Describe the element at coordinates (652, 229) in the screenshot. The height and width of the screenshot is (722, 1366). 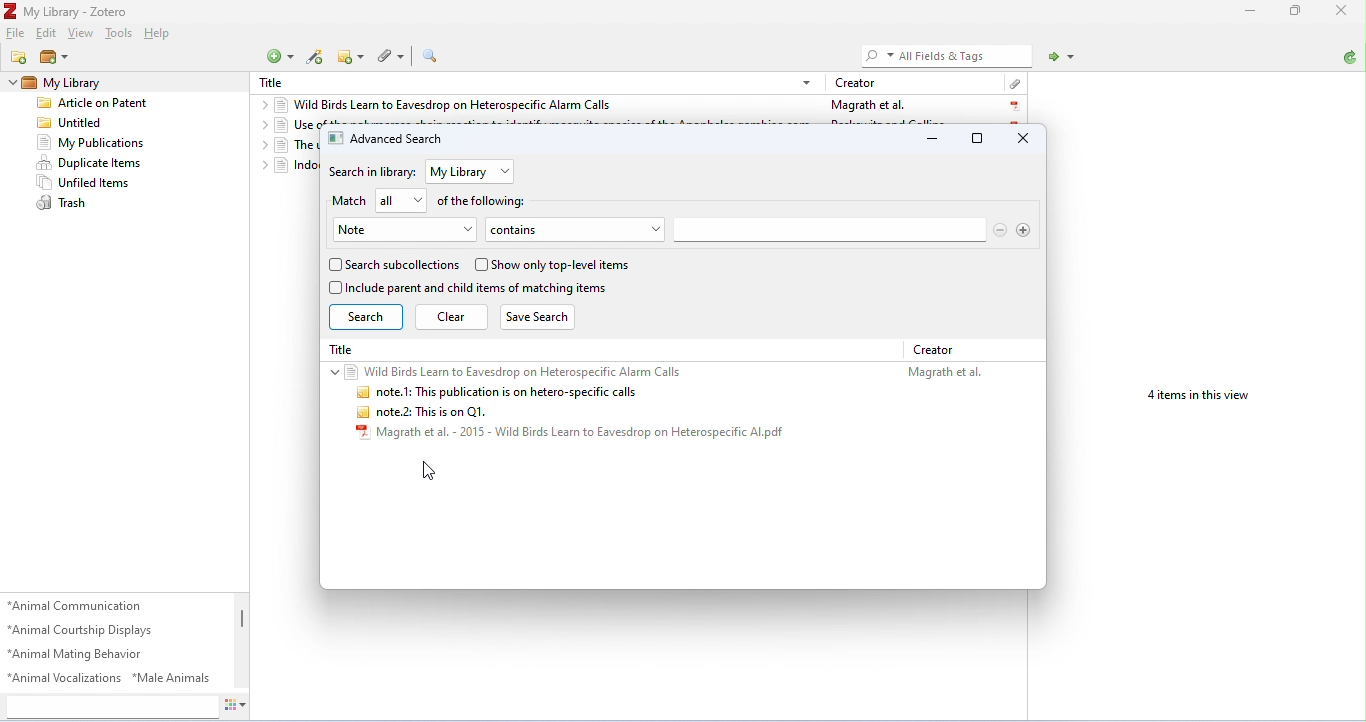
I see `drop-down` at that location.